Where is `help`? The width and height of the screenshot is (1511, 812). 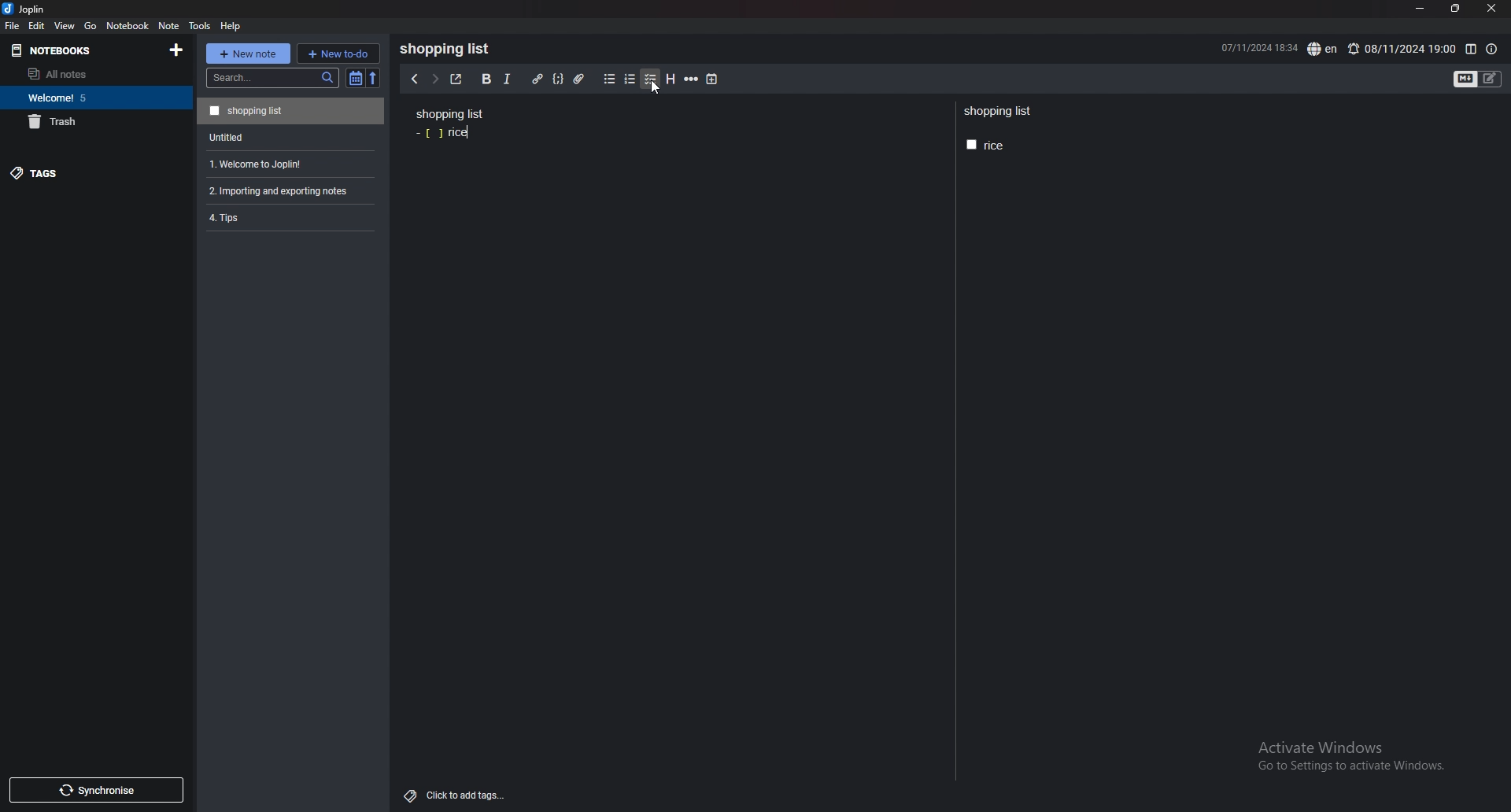 help is located at coordinates (231, 26).